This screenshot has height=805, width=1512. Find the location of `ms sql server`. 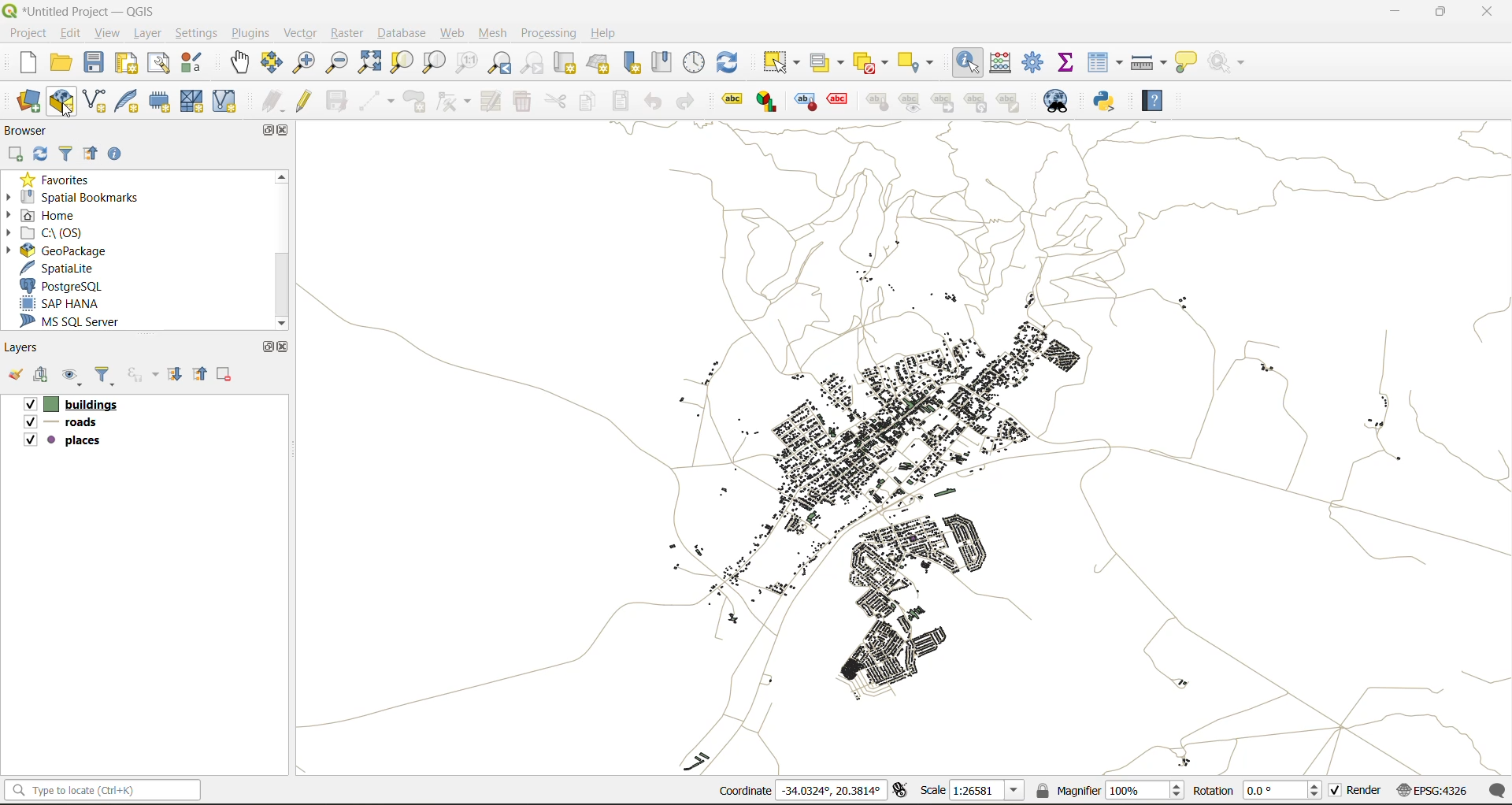

ms sql server is located at coordinates (80, 324).